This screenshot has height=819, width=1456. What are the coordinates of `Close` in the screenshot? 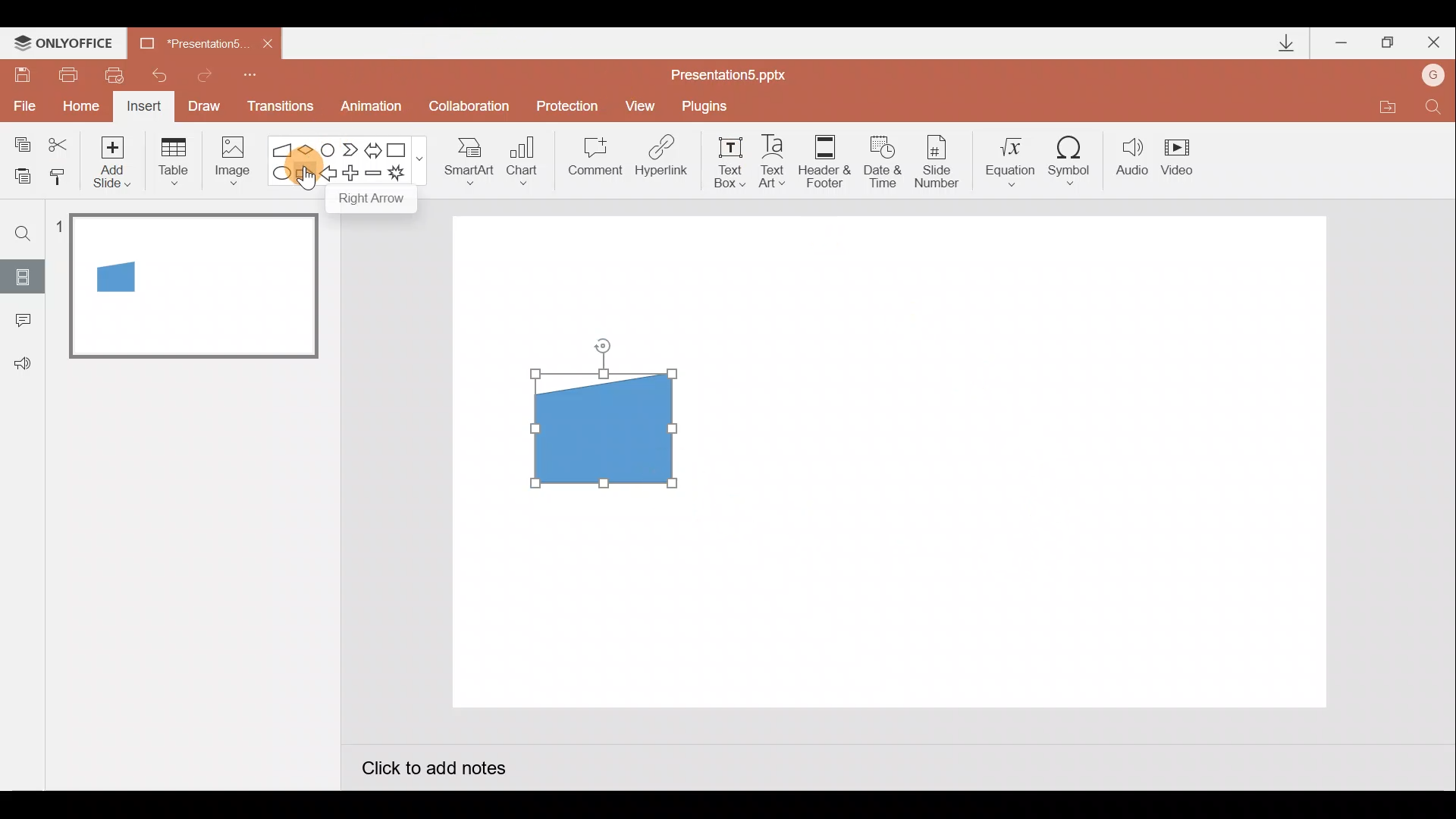 It's located at (1434, 45).